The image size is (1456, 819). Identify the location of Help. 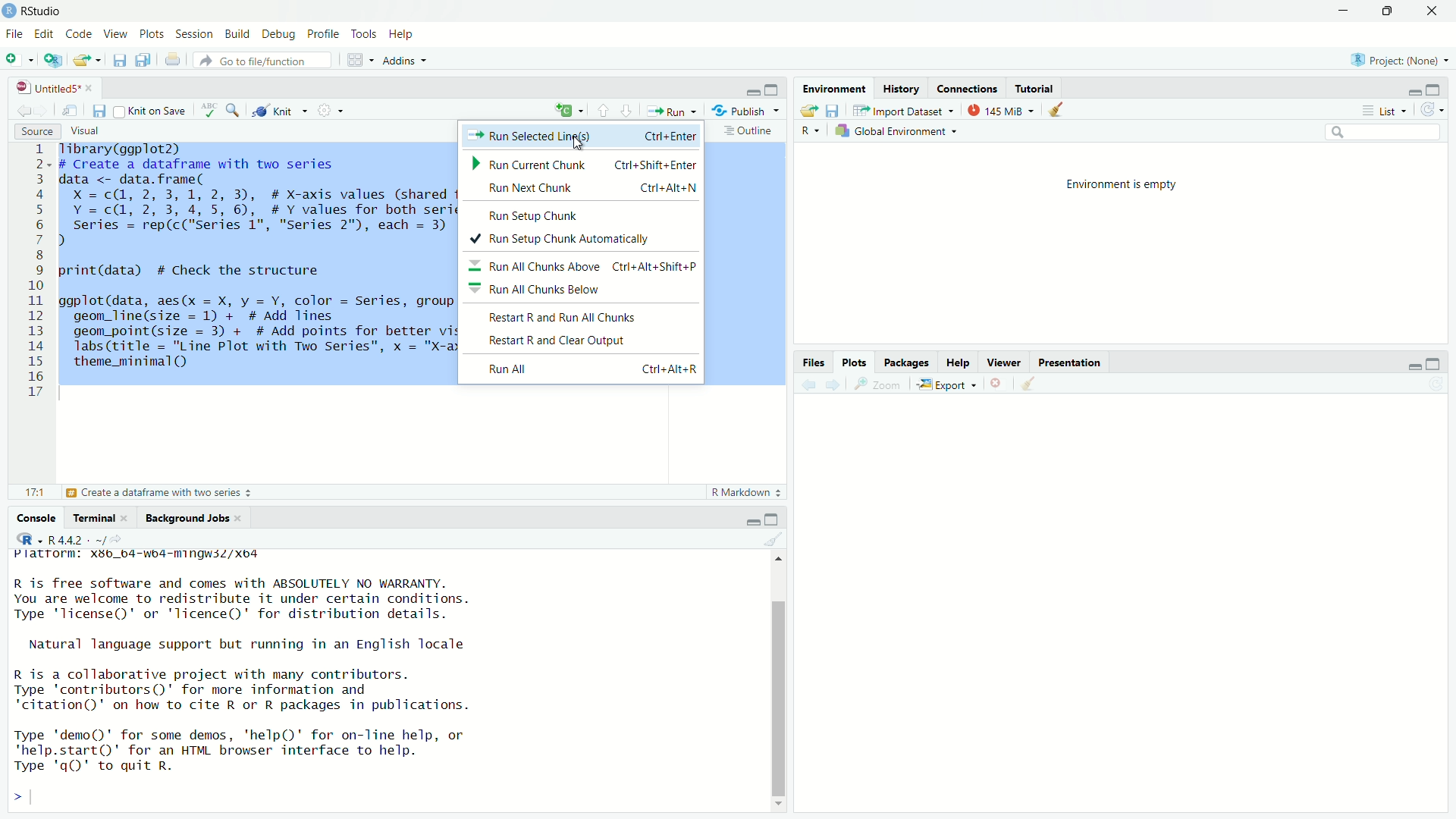
(404, 35).